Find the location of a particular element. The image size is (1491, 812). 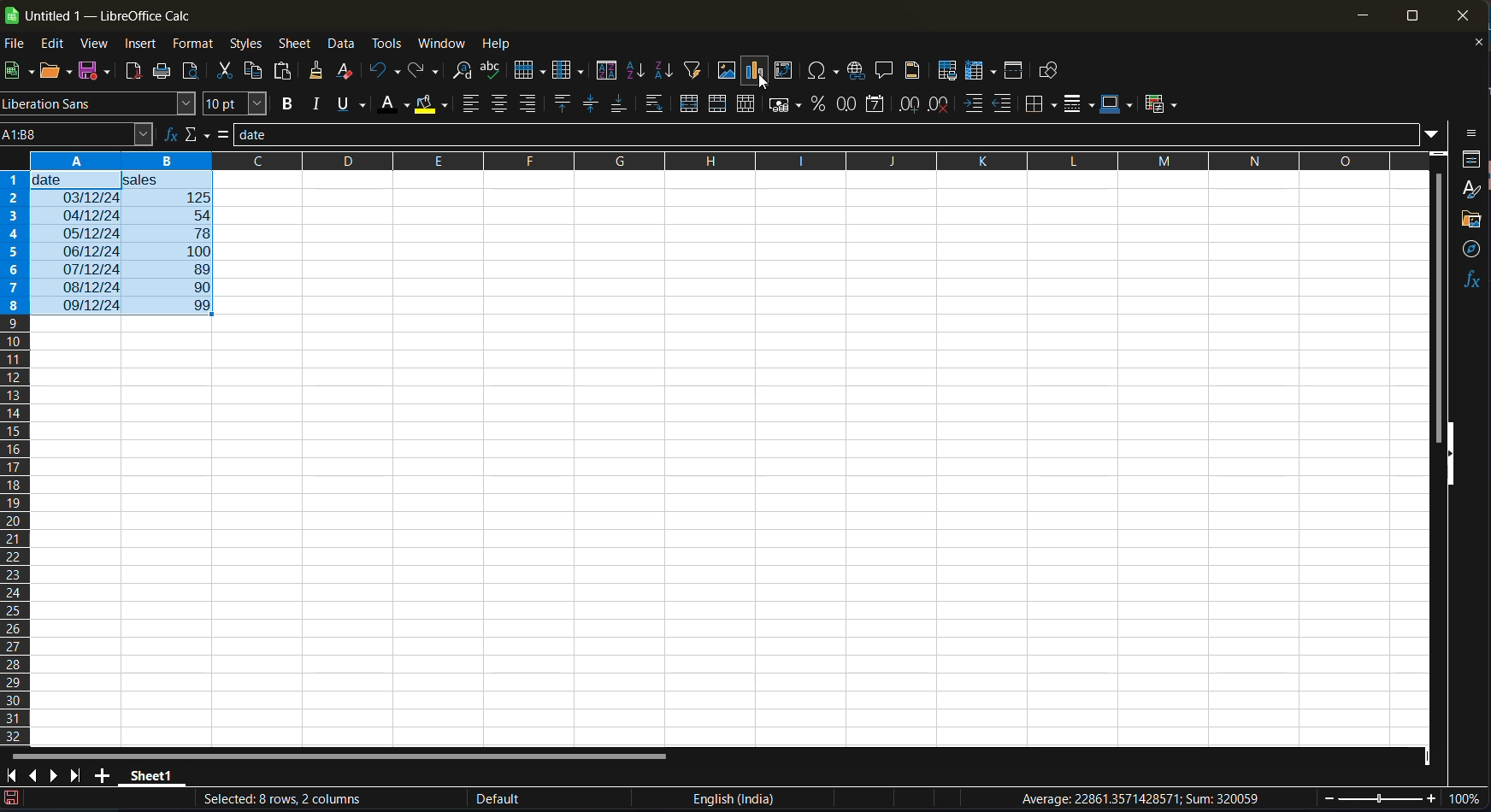

app name and file name is located at coordinates (100, 13).